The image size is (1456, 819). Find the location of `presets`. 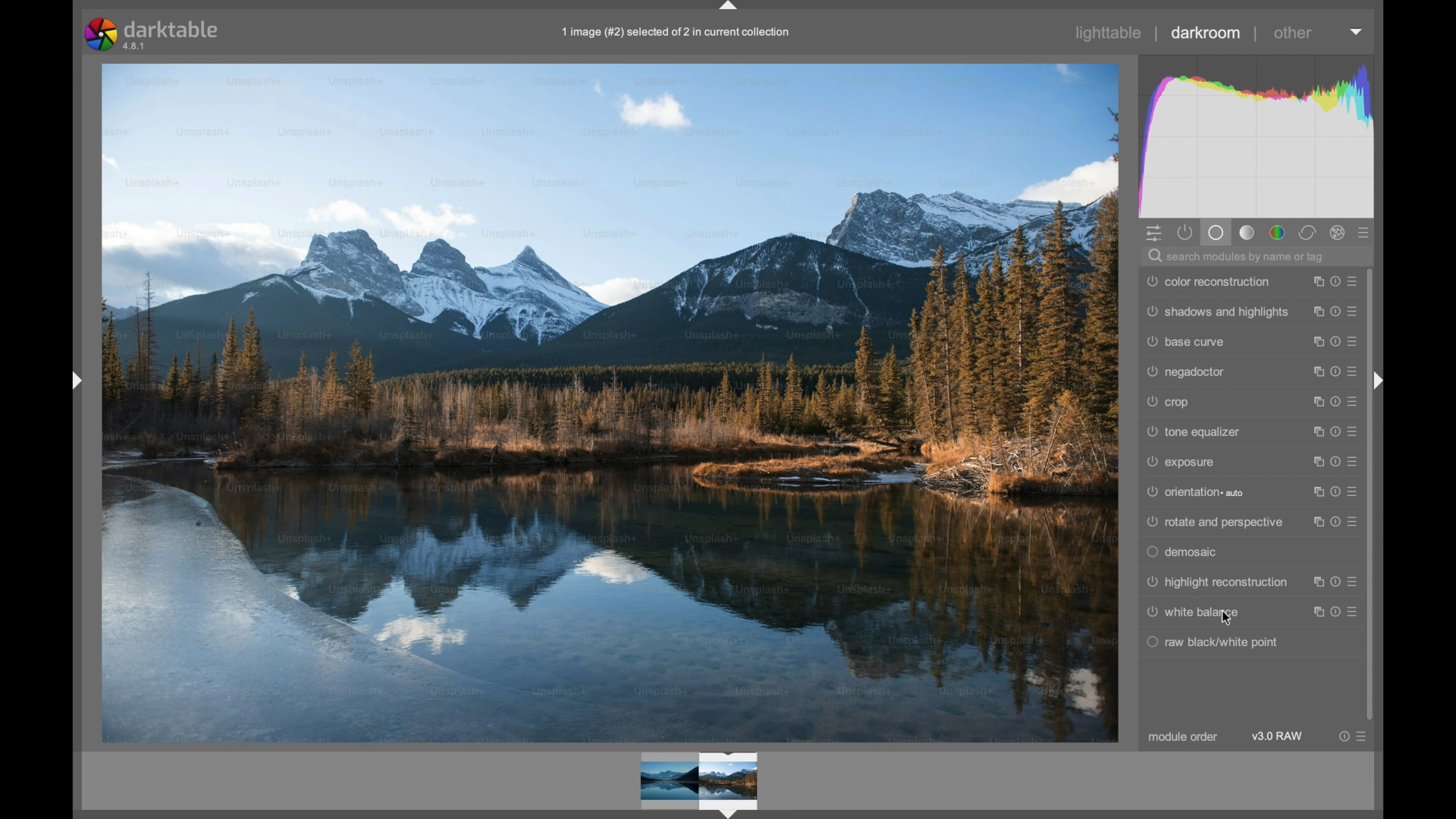

presets is located at coordinates (1356, 401).